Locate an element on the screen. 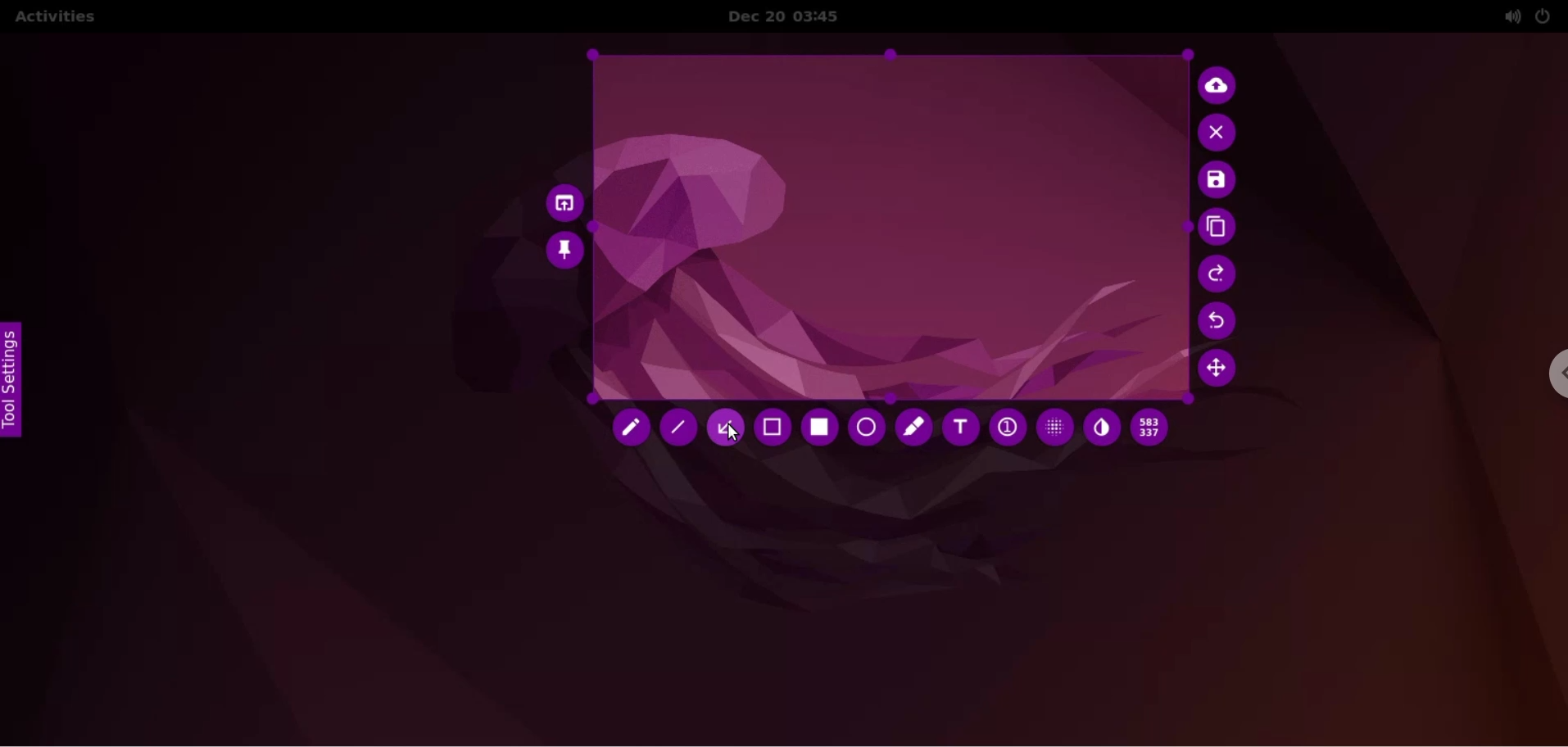  arrow tool is located at coordinates (730, 426).